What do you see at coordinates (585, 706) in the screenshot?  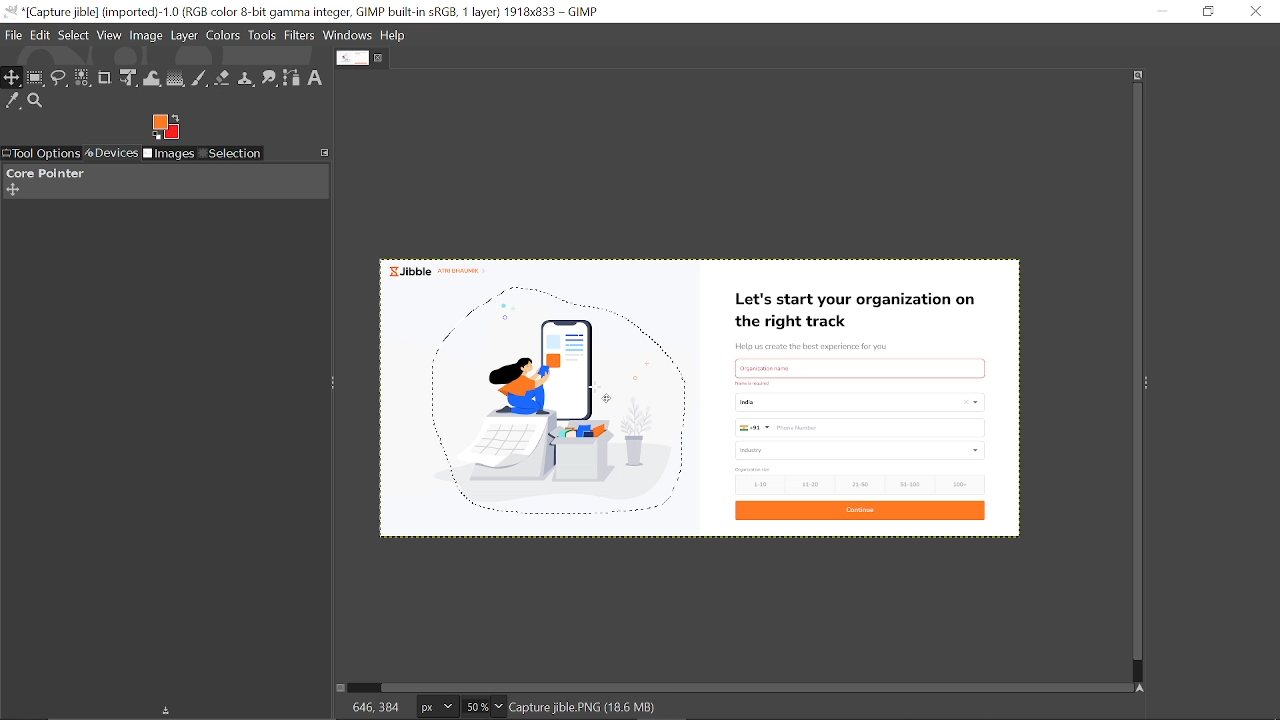 I see `Capture jble.PNG(18.6 MB` at bounding box center [585, 706].